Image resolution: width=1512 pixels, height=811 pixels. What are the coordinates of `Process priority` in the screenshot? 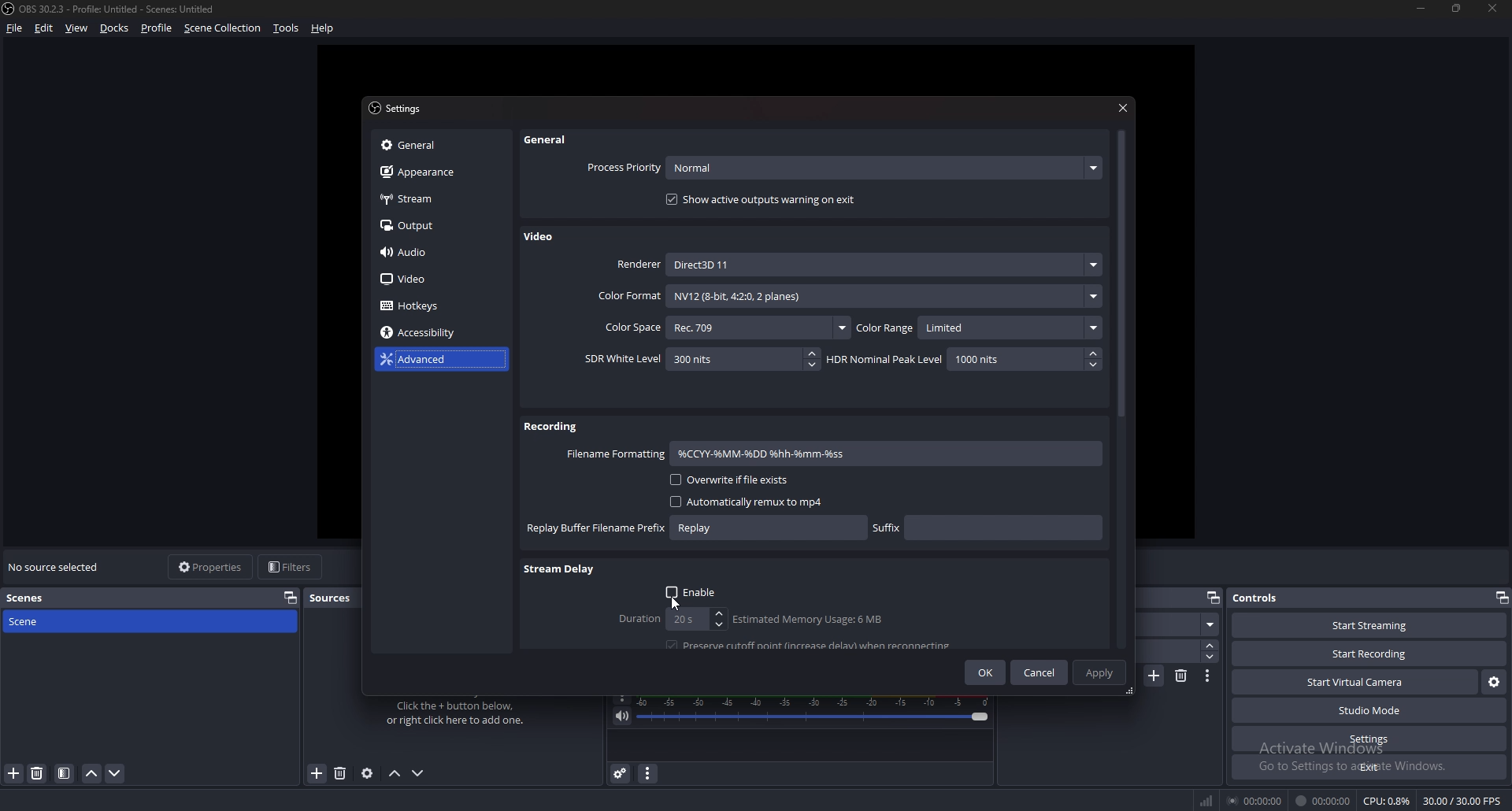 It's located at (844, 168).